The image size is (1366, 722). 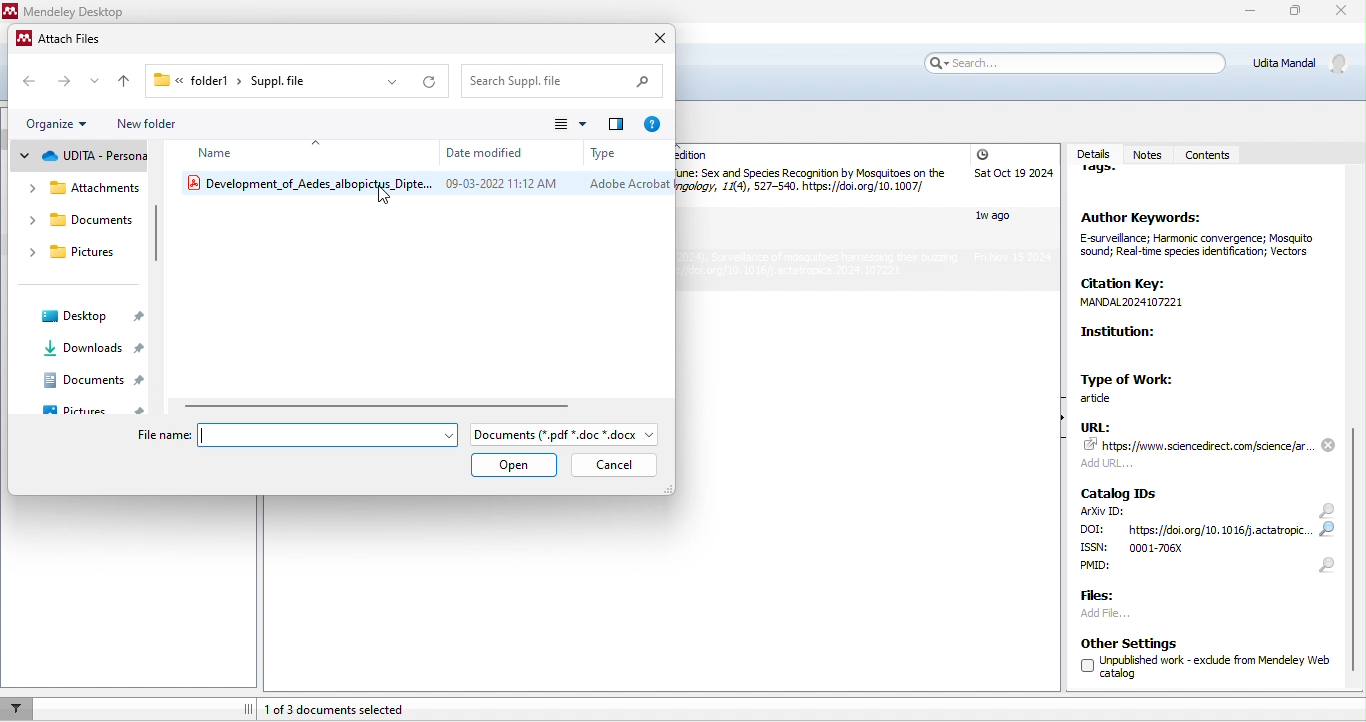 What do you see at coordinates (439, 436) in the screenshot?
I see `drop down` at bounding box center [439, 436].